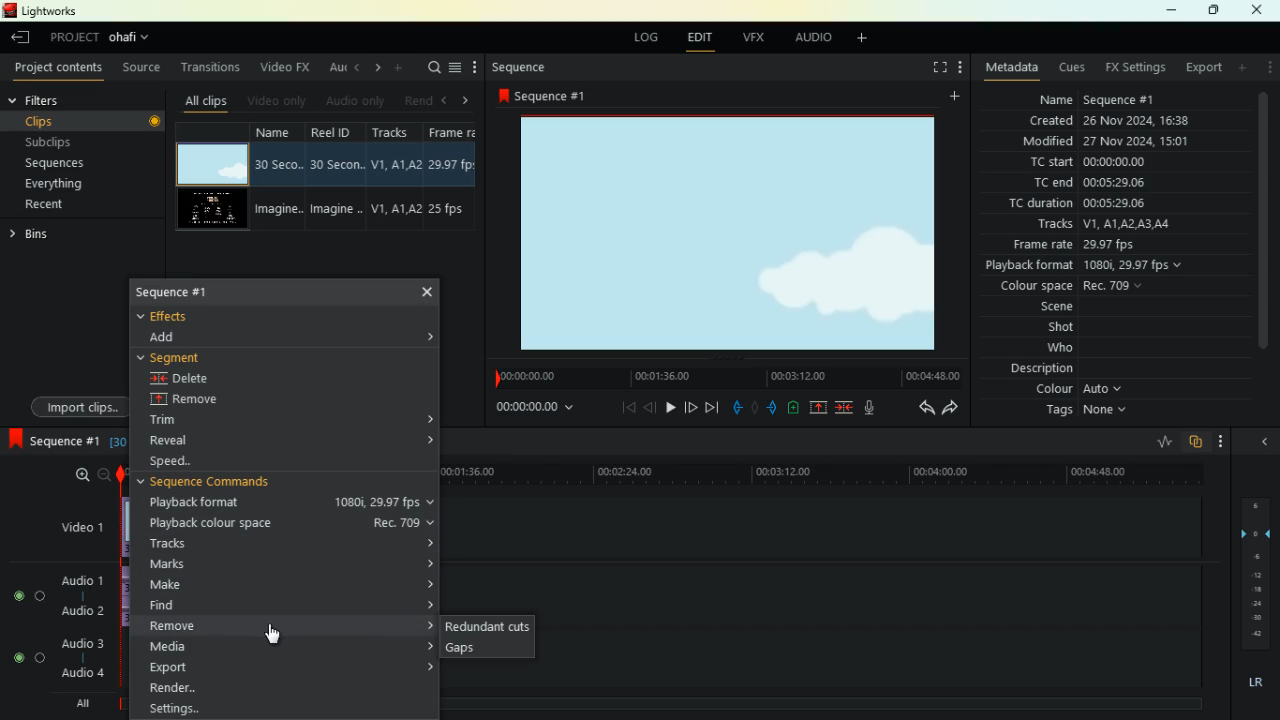  What do you see at coordinates (83, 476) in the screenshot?
I see `zoom` at bounding box center [83, 476].